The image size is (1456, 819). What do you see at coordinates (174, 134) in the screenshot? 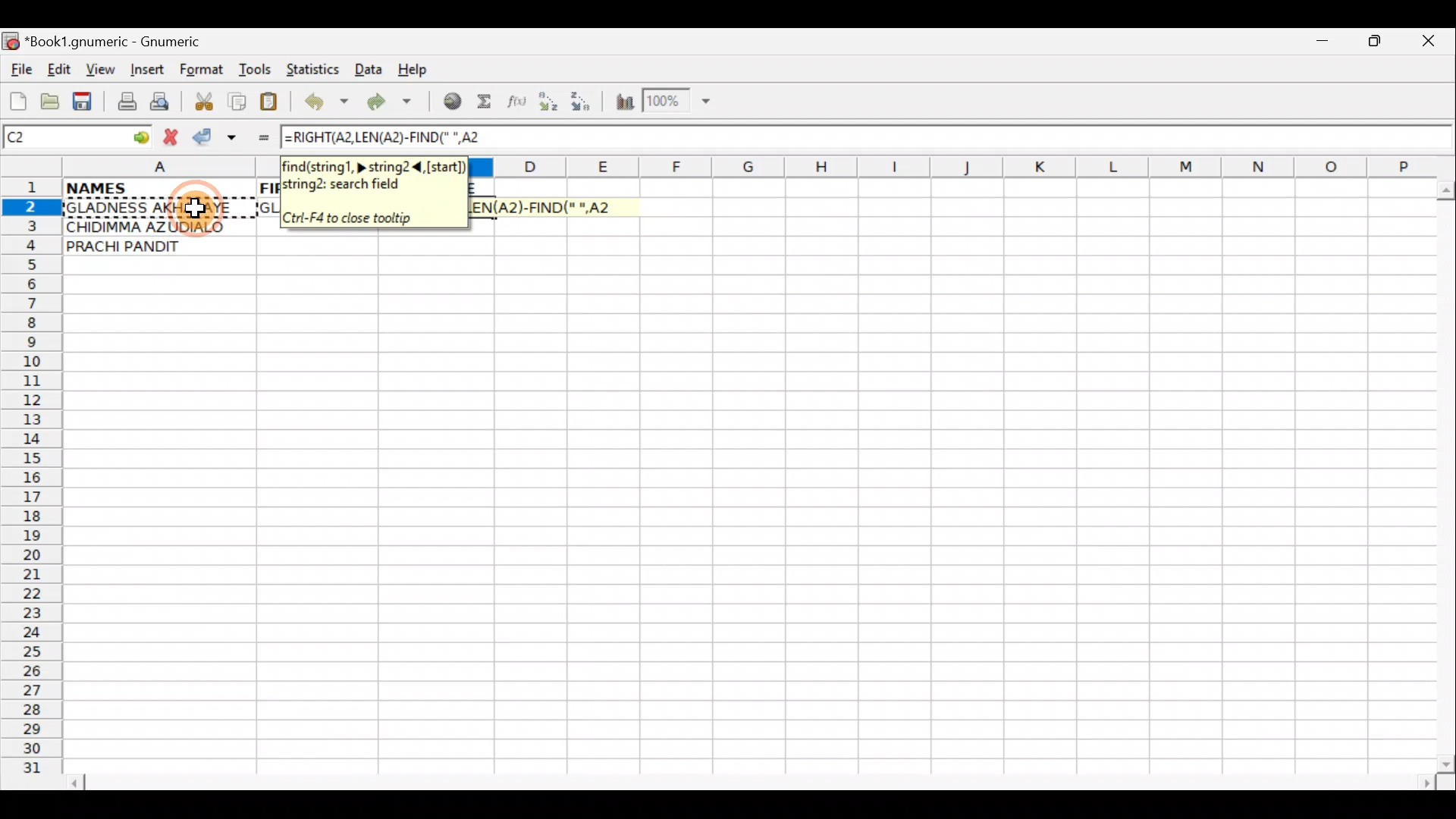
I see `Cancel change` at bounding box center [174, 134].